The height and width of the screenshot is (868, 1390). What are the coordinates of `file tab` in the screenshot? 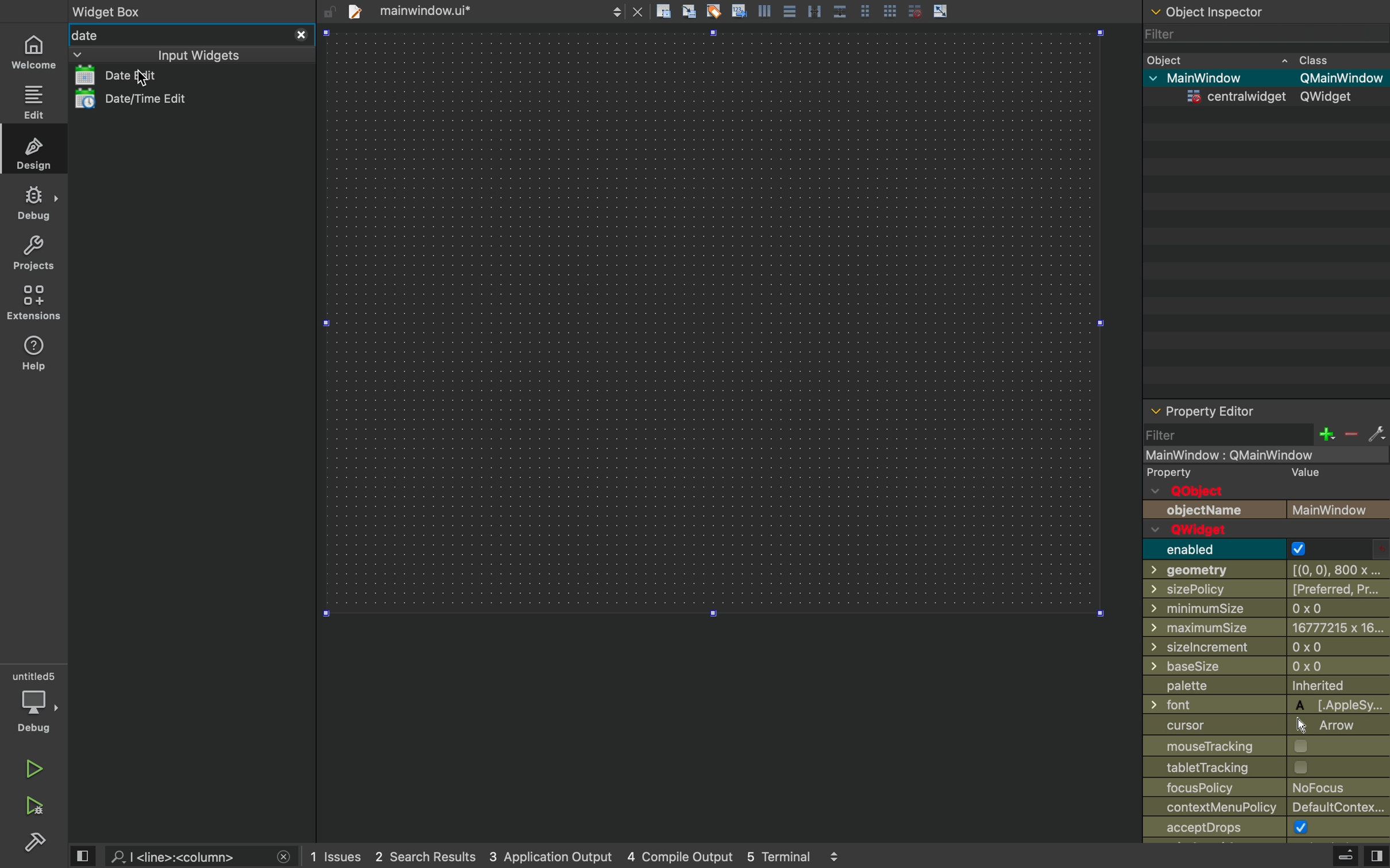 It's located at (470, 10).